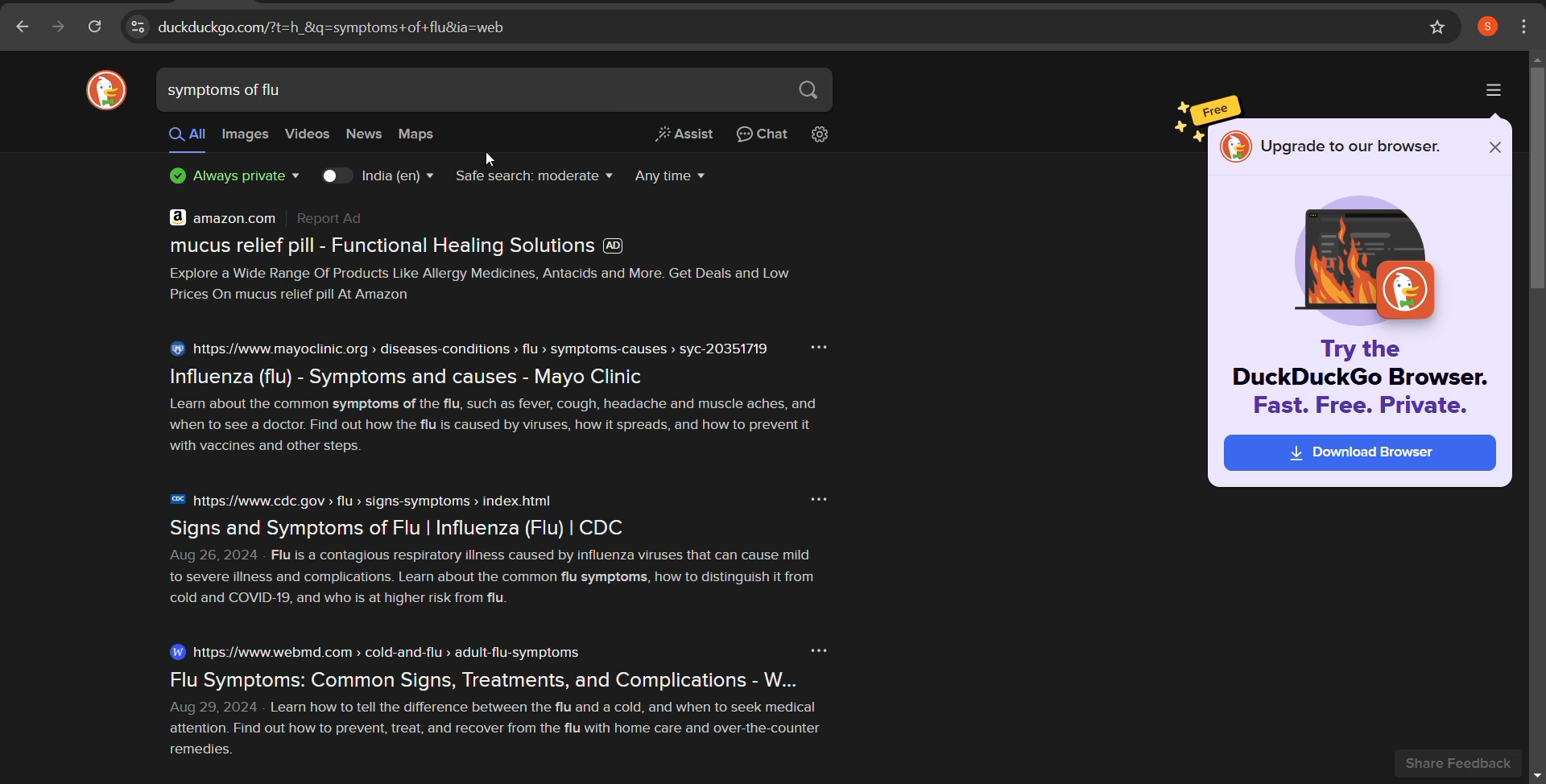 This screenshot has height=784, width=1546. What do you see at coordinates (504, 732) in the screenshot?
I see `Aug 29,2024 - Learn how to tell the difference between the flu and a cold, and when to seek medical
attention. Find out how to prevent, treat, and recover from the flu with home care and over-the-counter
remedies.` at bounding box center [504, 732].